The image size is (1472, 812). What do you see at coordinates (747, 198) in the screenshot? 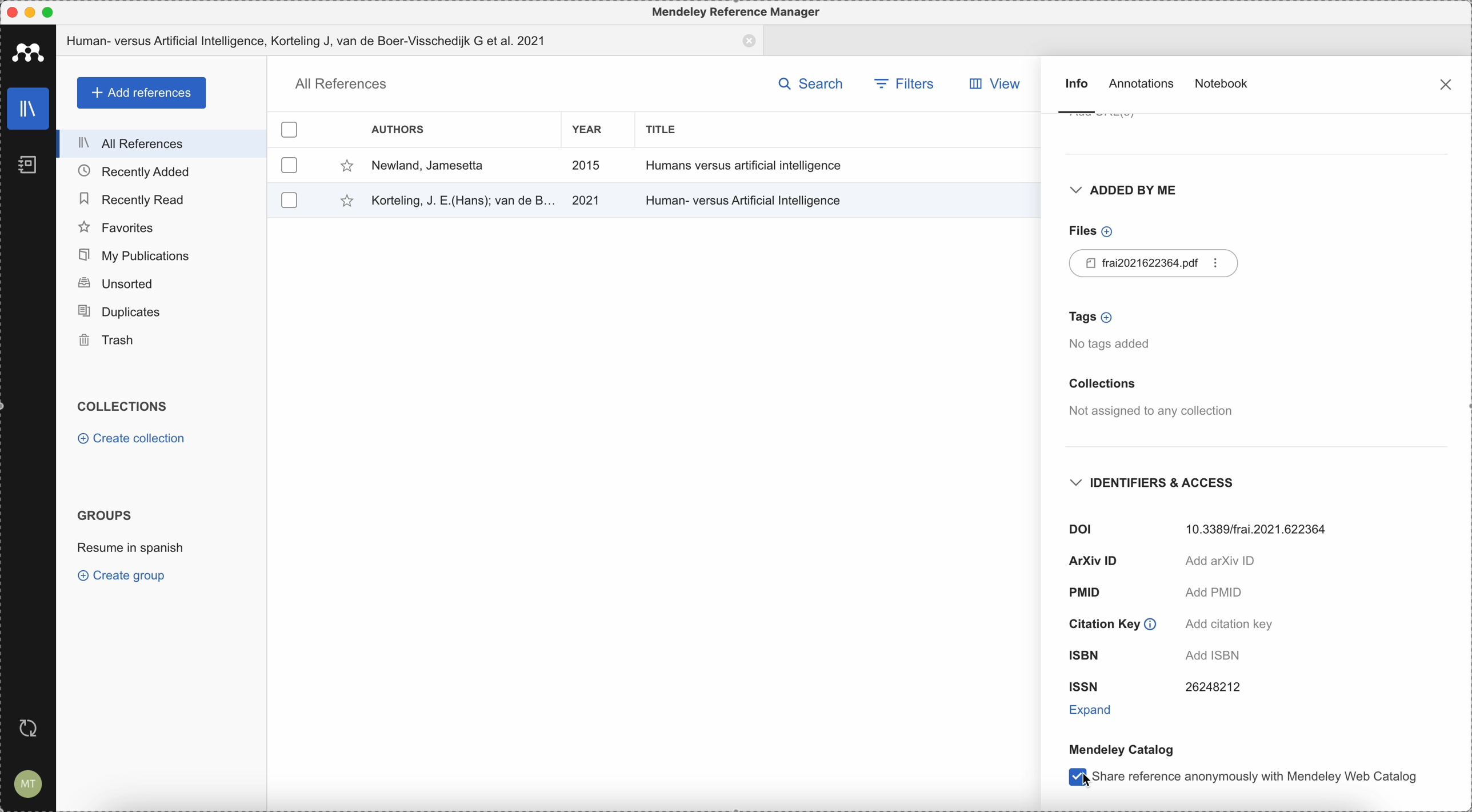
I see `Human-versus Artificial Intelligence` at bounding box center [747, 198].